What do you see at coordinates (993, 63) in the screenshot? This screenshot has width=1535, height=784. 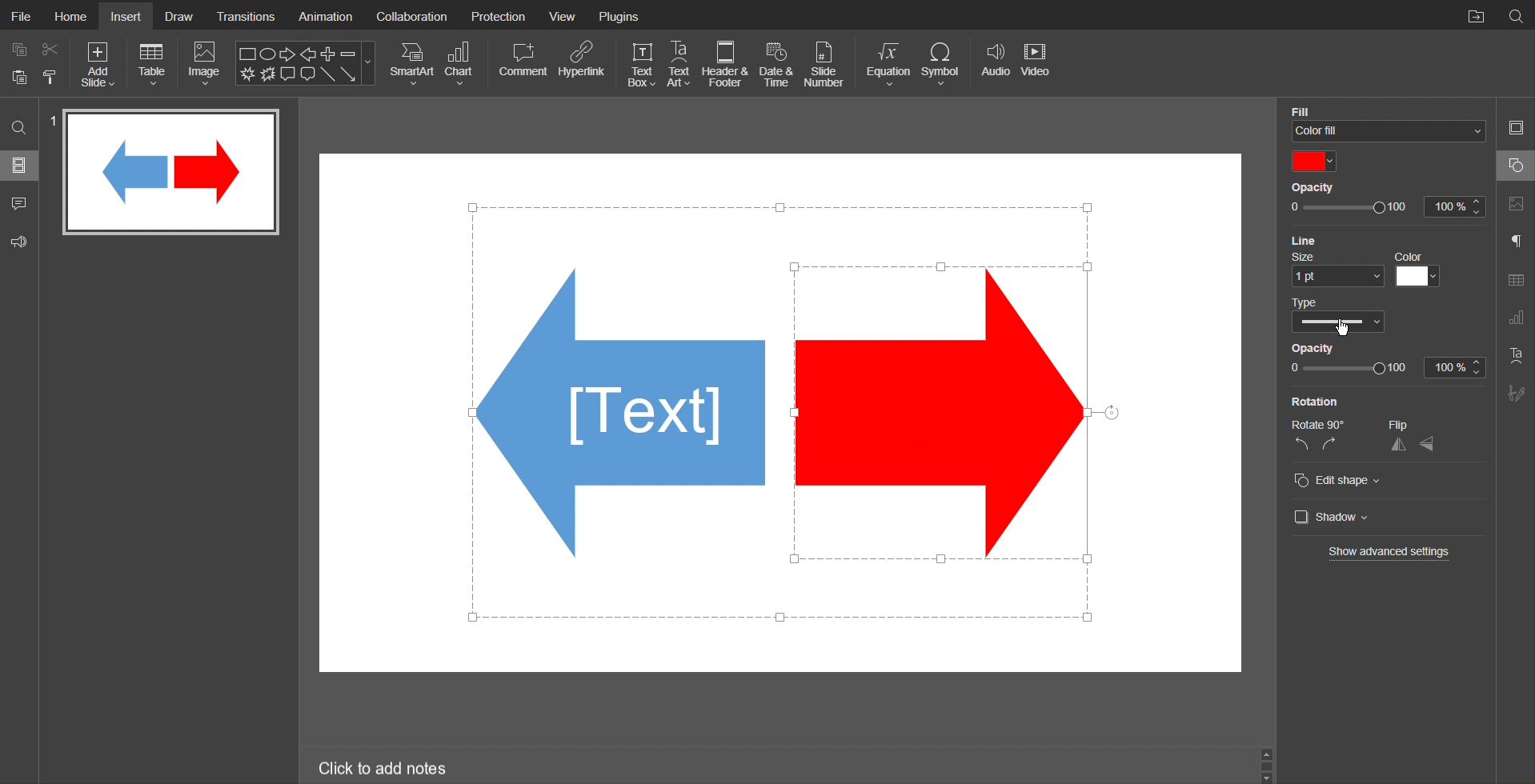 I see `Audio` at bounding box center [993, 63].